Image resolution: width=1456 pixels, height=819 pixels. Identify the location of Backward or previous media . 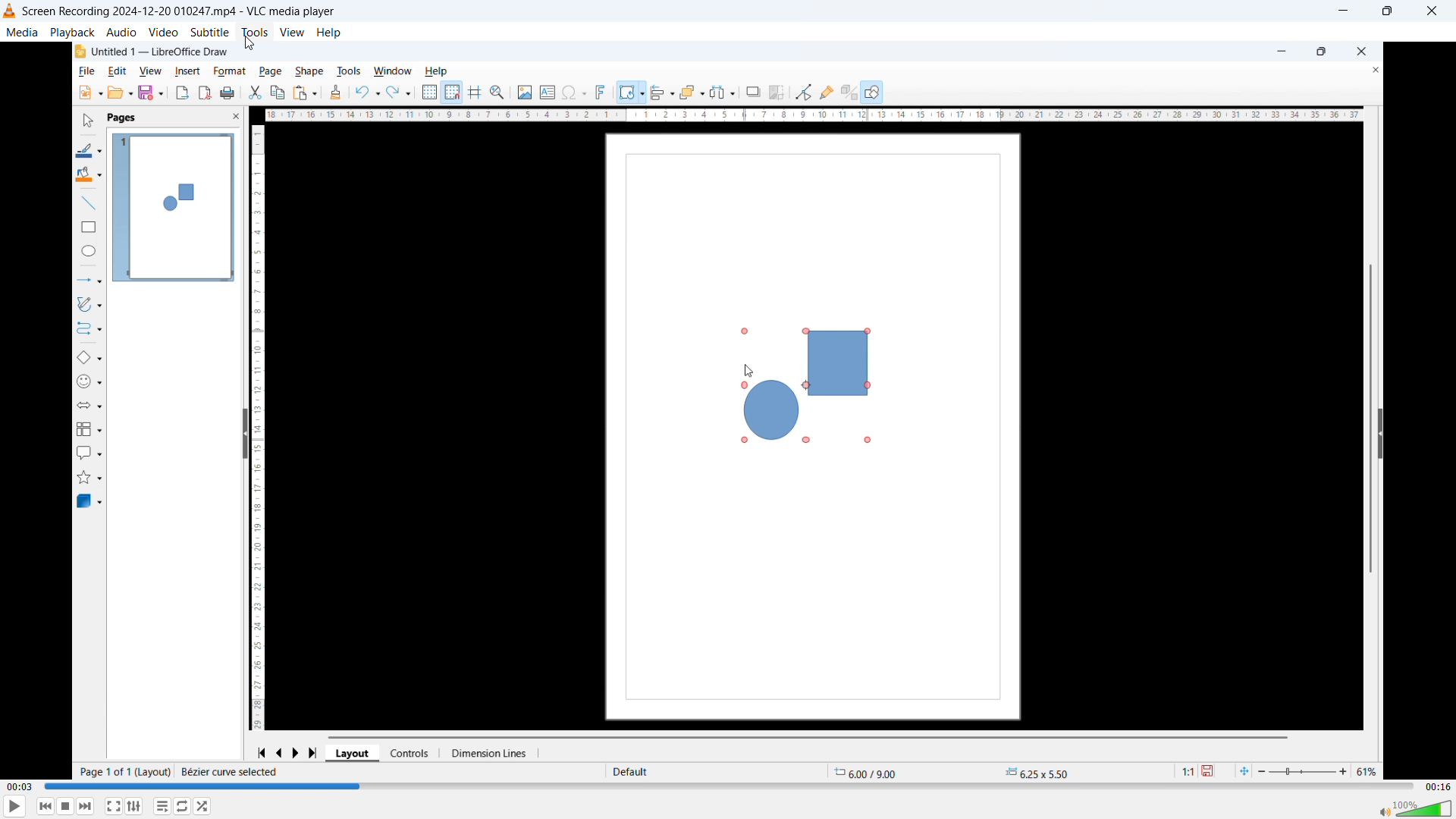
(44, 806).